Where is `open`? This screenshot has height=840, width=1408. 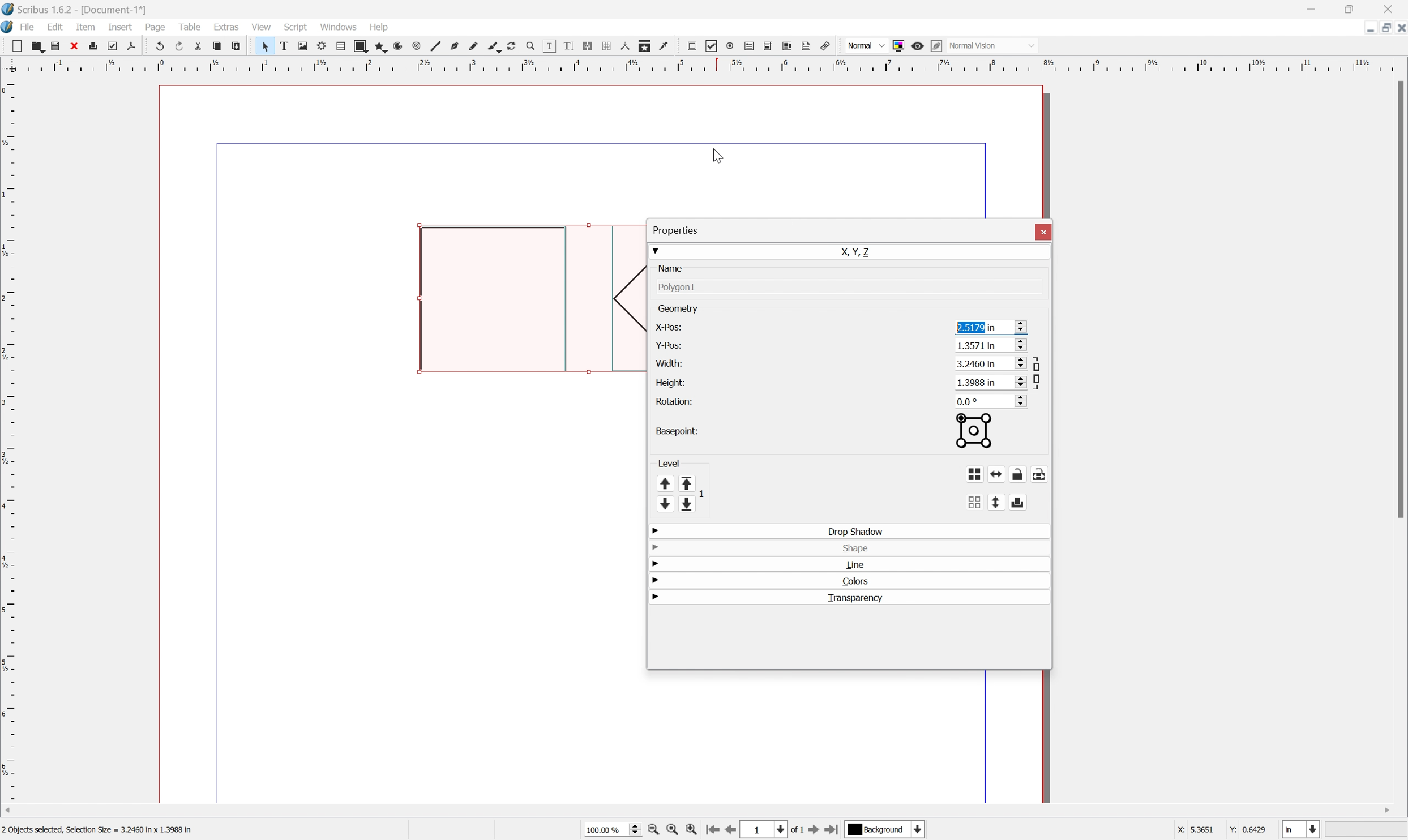
open is located at coordinates (38, 45).